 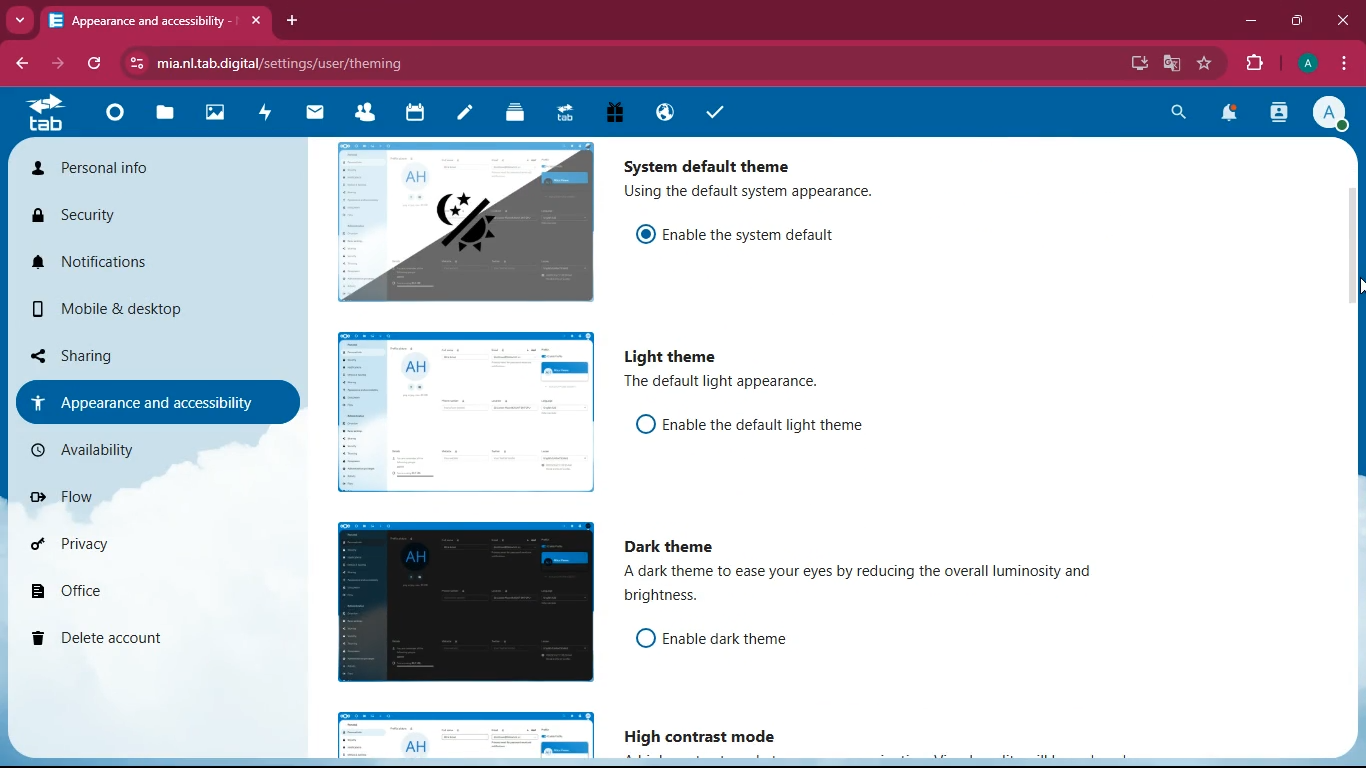 I want to click on tab, so click(x=44, y=113).